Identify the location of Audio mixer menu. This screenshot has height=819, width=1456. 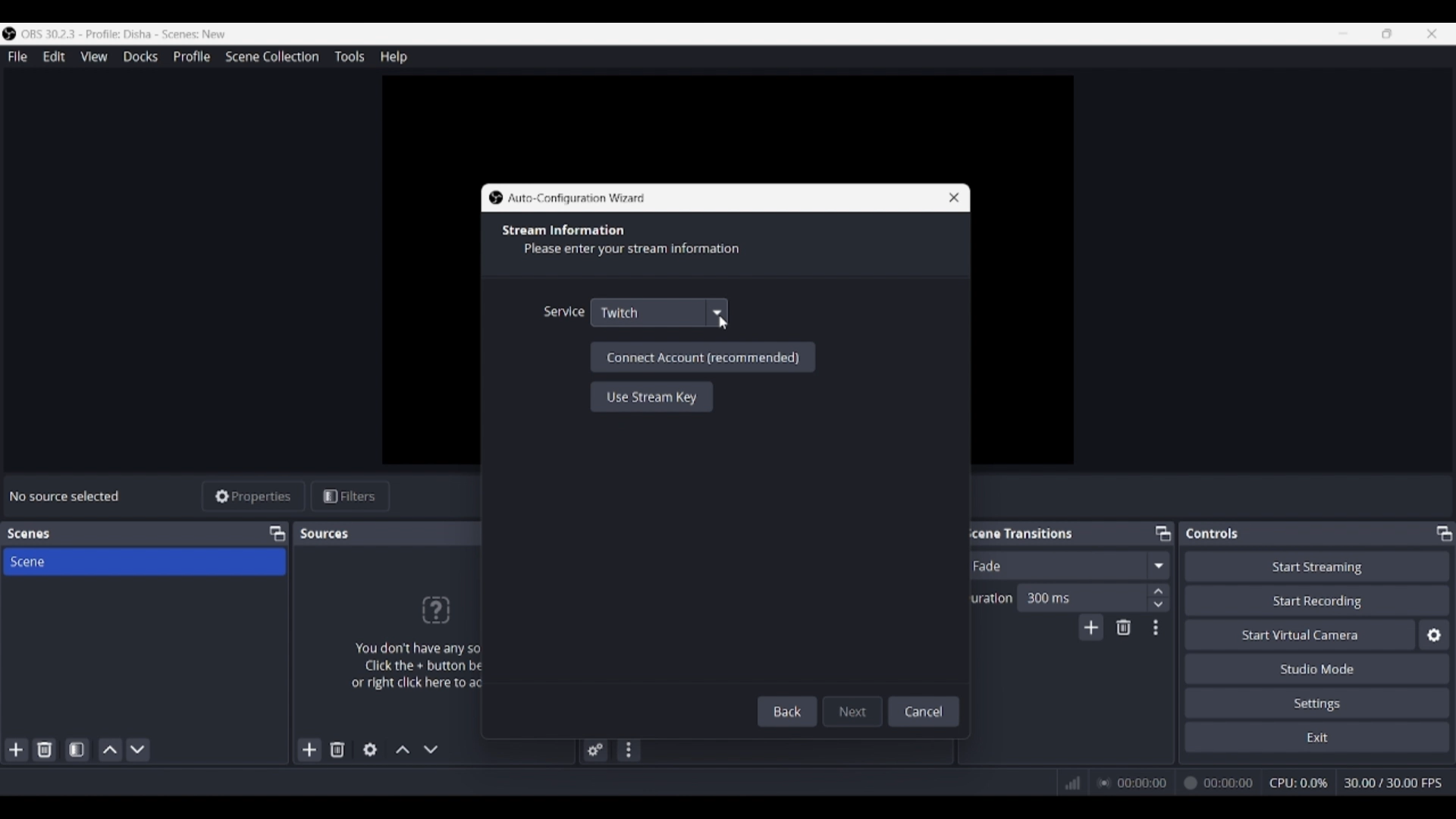
(628, 750).